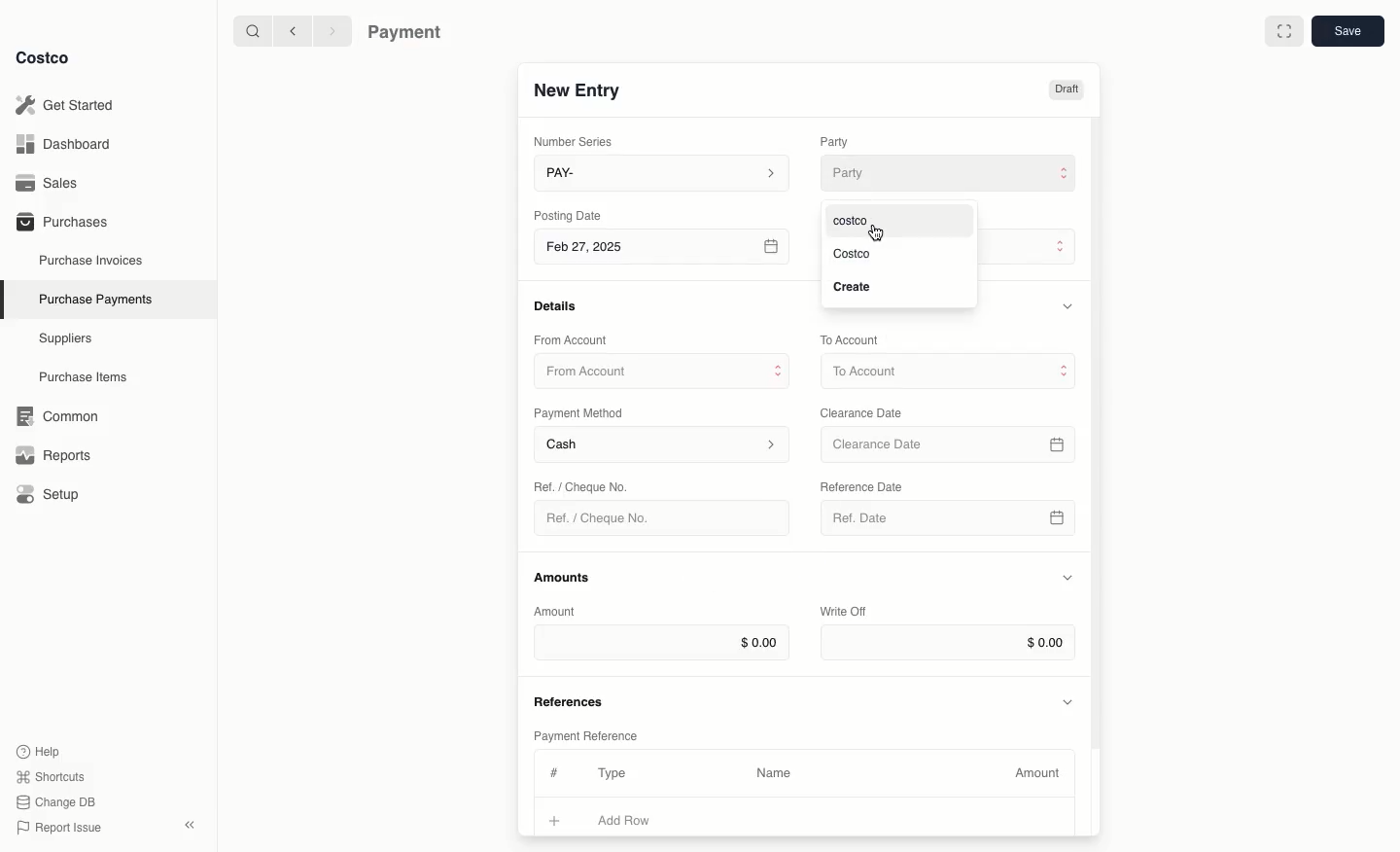  I want to click on Amount, so click(558, 611).